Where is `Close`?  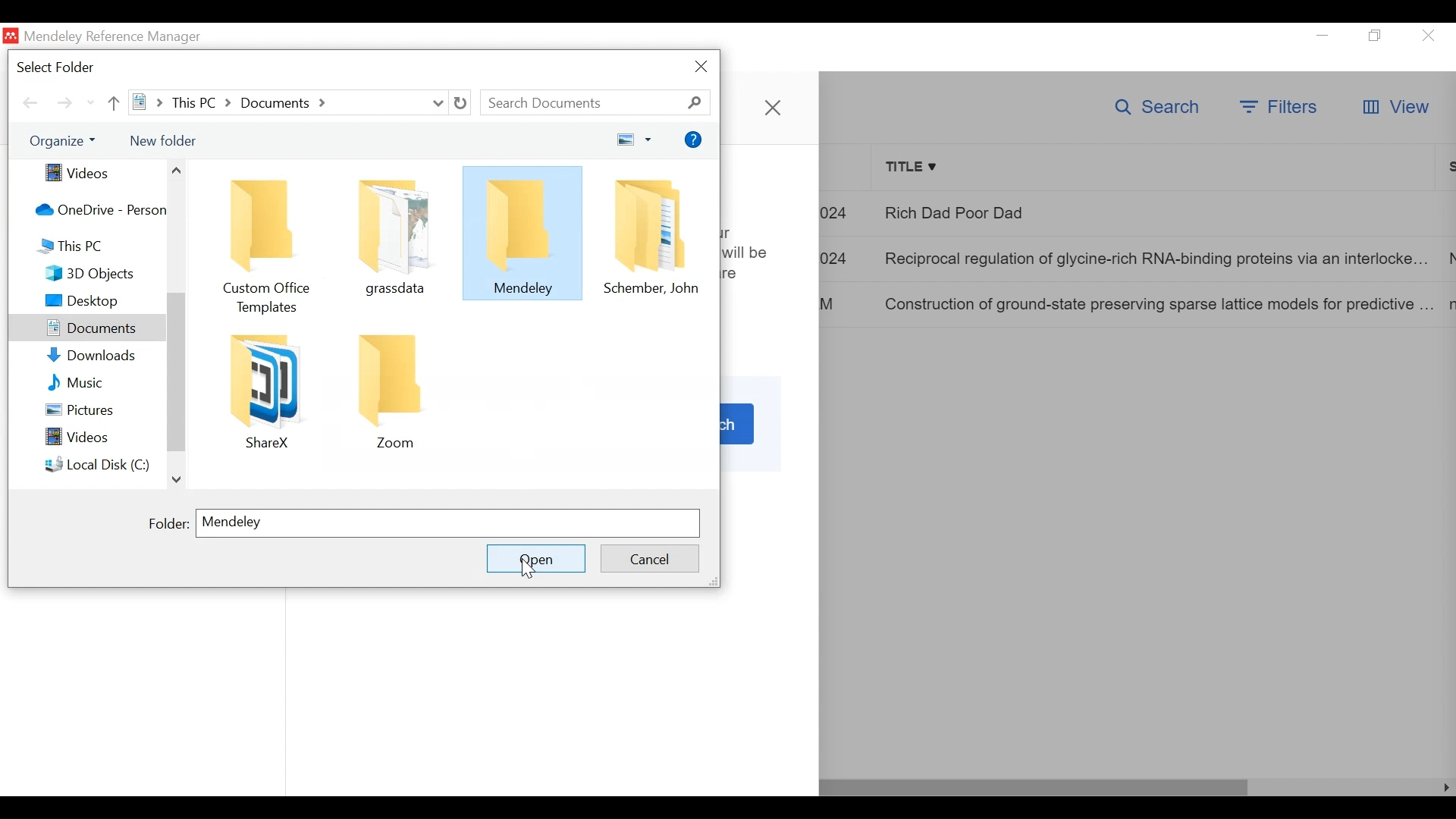
Close is located at coordinates (703, 67).